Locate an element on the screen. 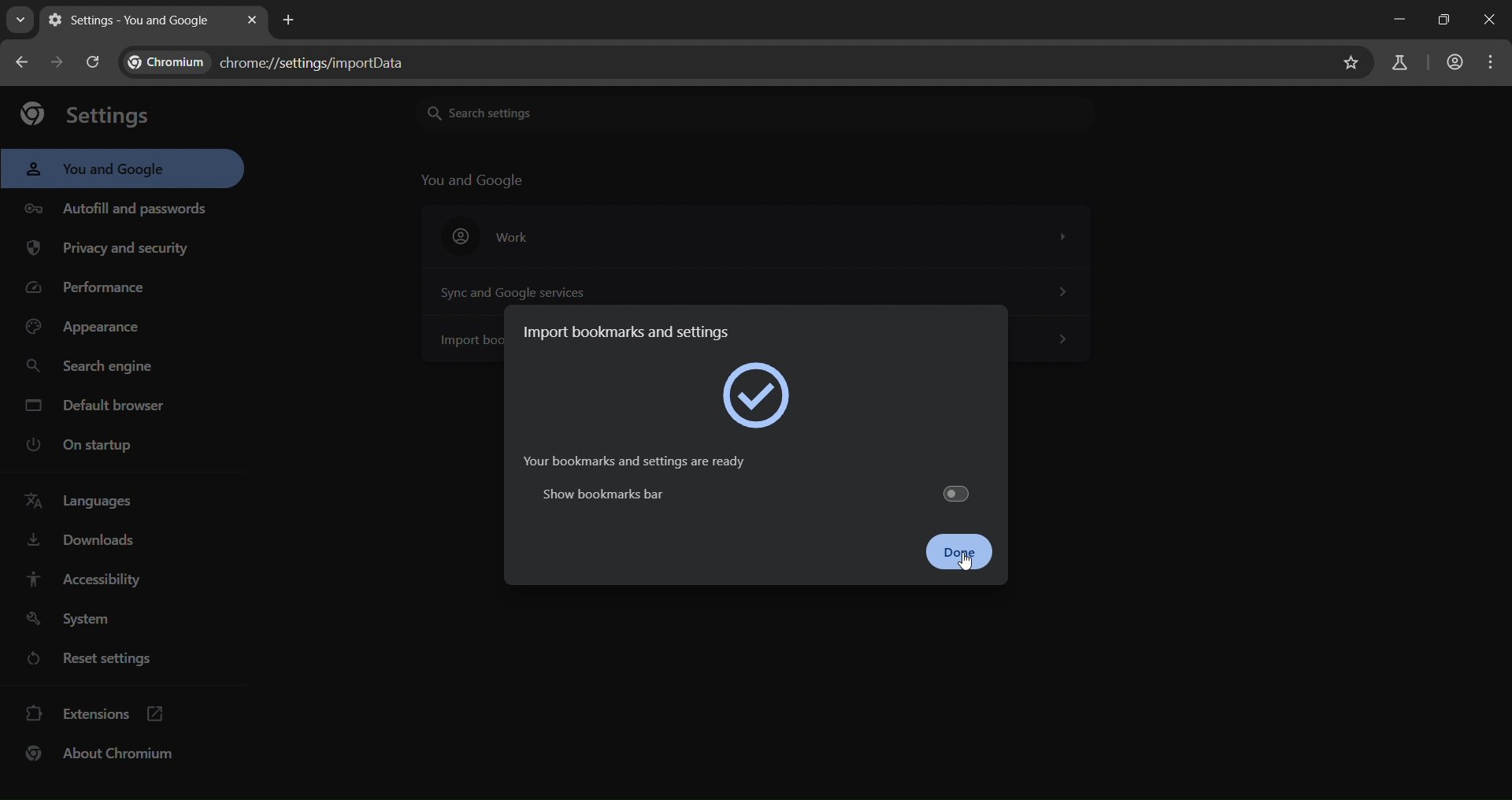 Image resolution: width=1512 pixels, height=800 pixels. reload page is located at coordinates (94, 60).